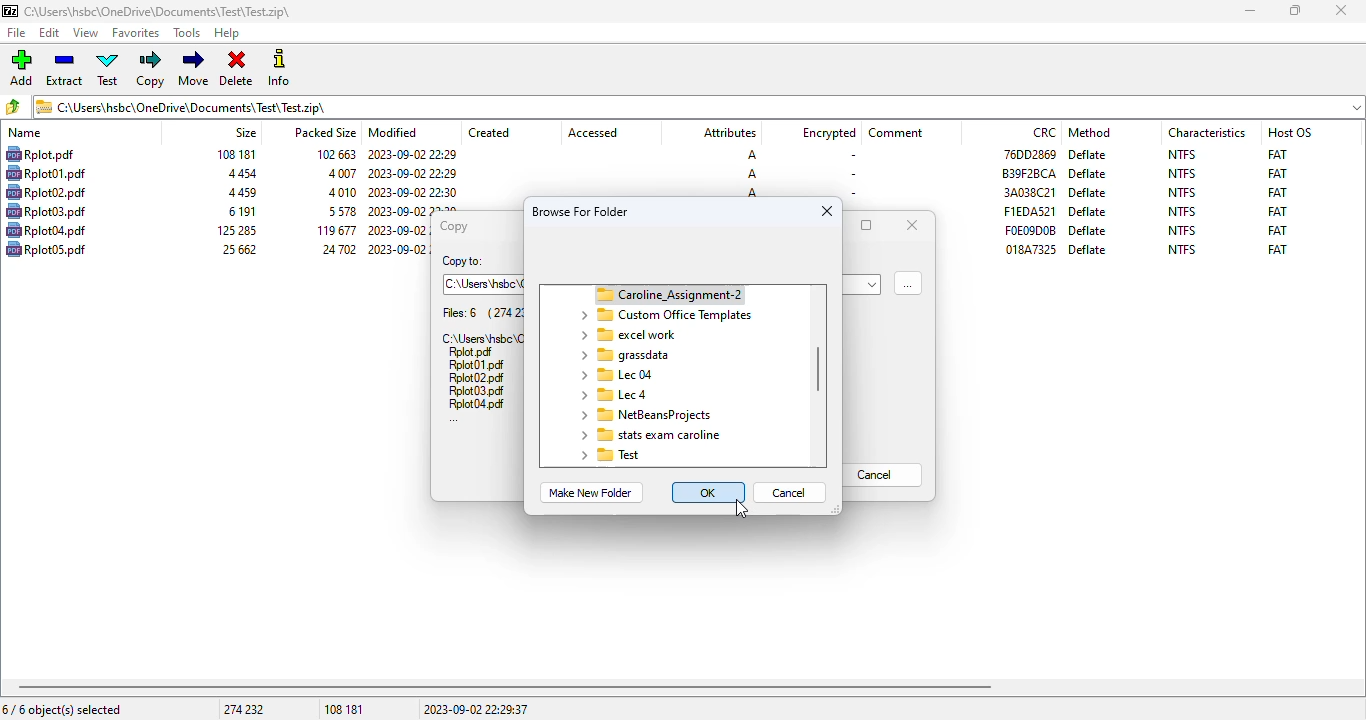 Image resolution: width=1366 pixels, height=720 pixels. Describe the element at coordinates (188, 34) in the screenshot. I see `tools` at that location.